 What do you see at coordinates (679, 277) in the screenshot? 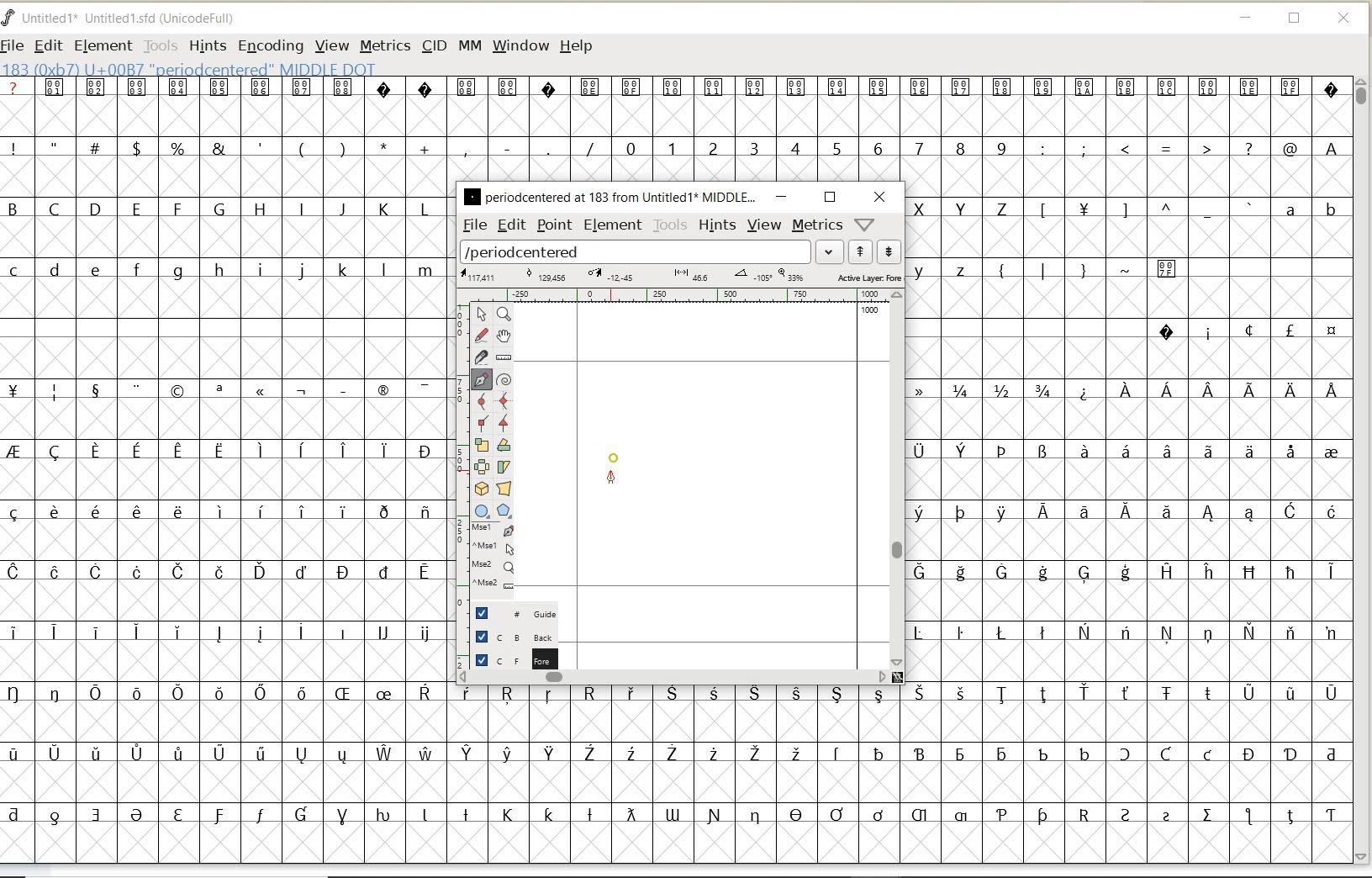
I see `active layer` at bounding box center [679, 277].